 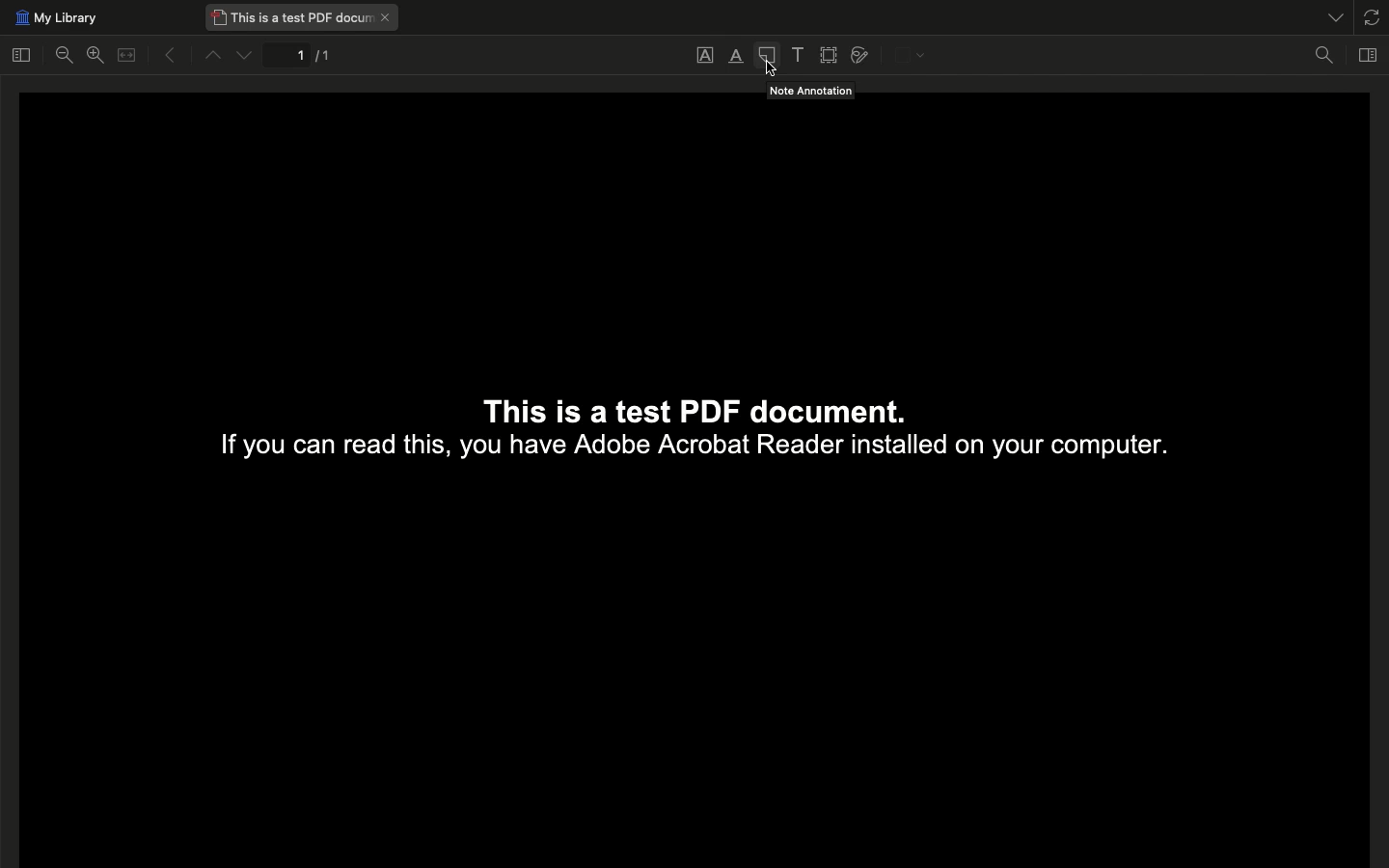 What do you see at coordinates (860, 54) in the screenshot?
I see `Draw` at bounding box center [860, 54].